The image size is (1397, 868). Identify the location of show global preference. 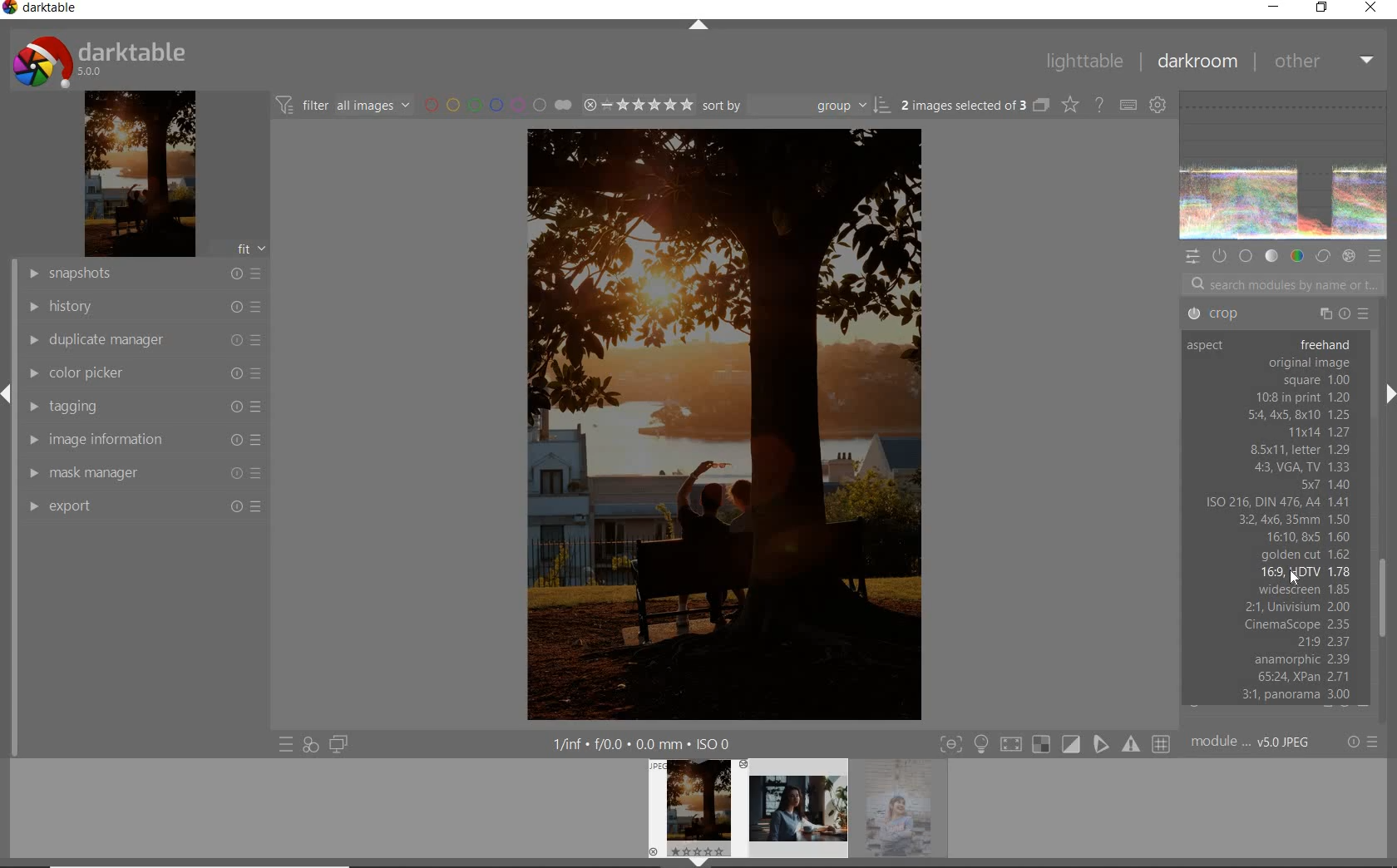
(1159, 104).